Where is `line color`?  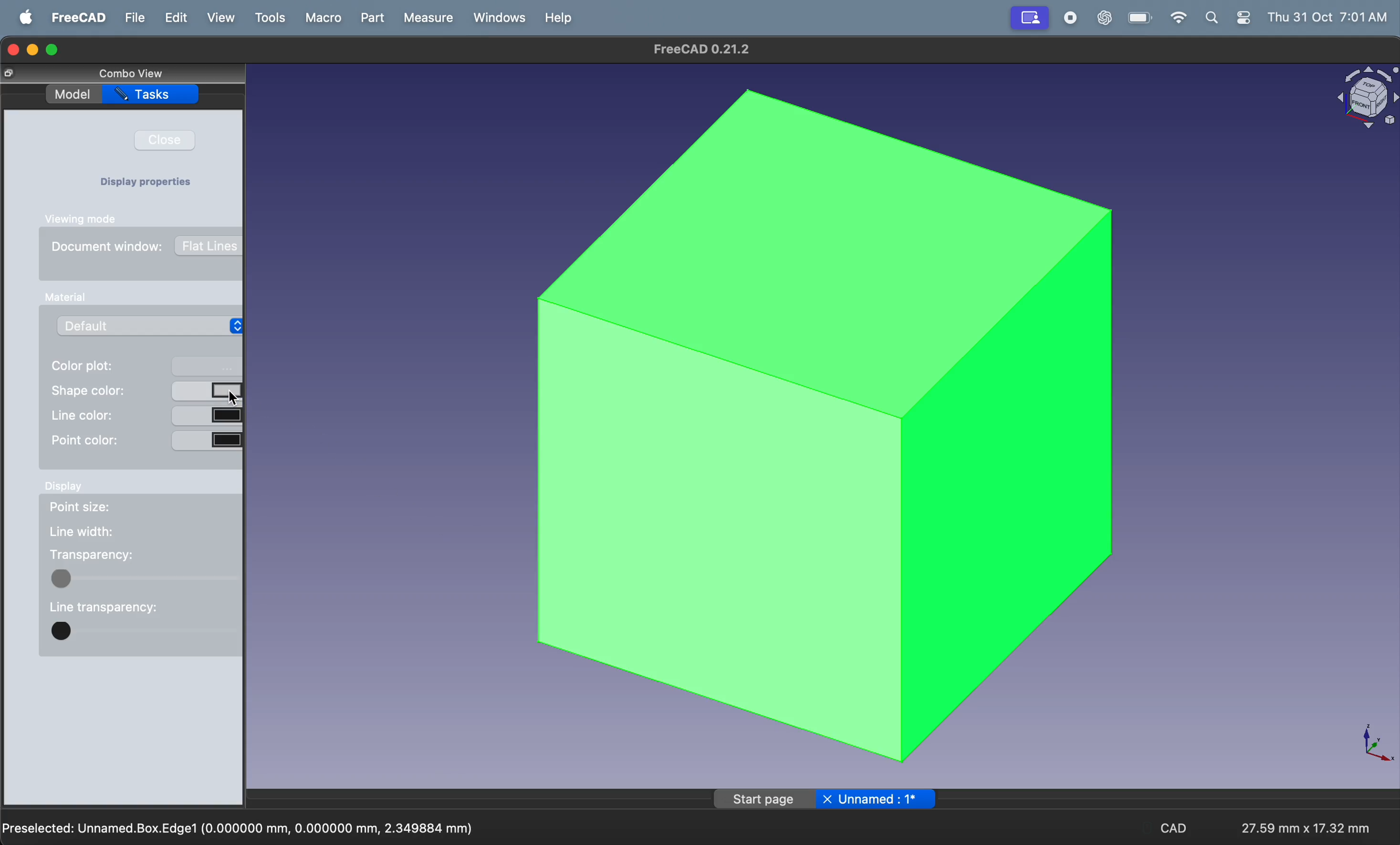
line color is located at coordinates (145, 414).